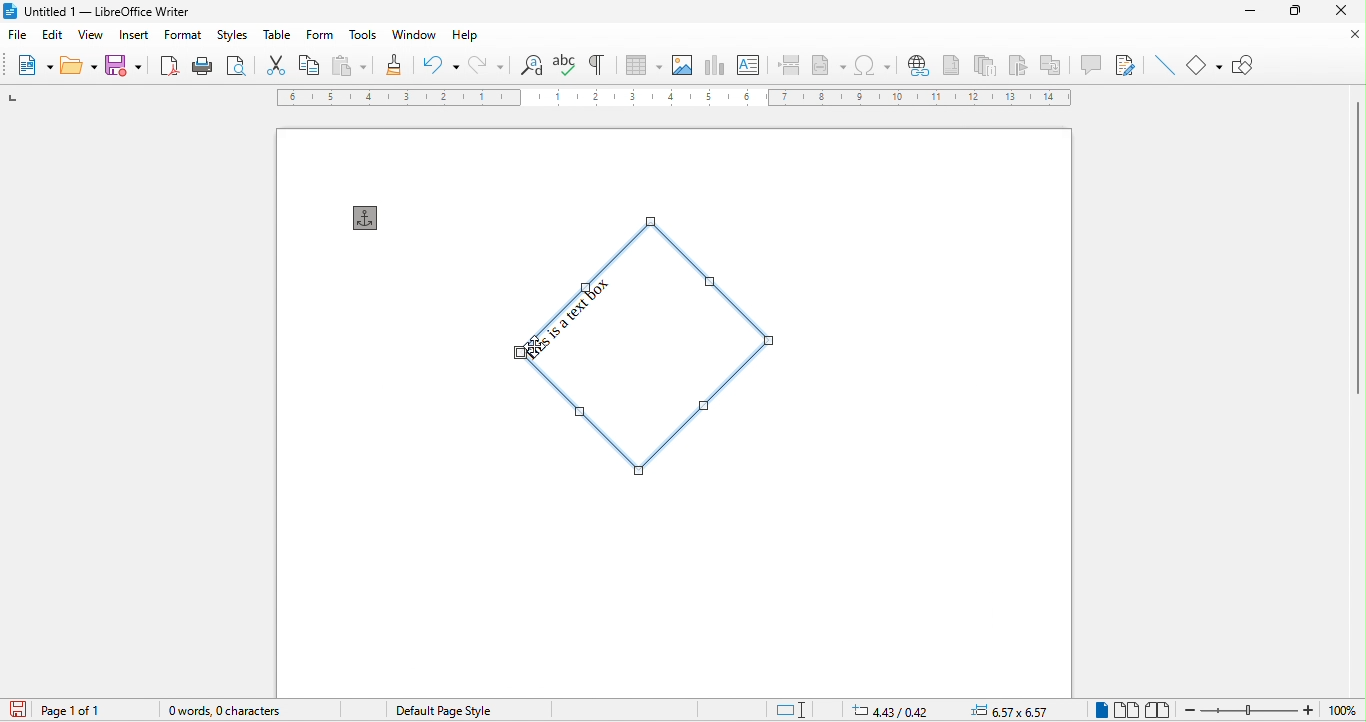 The image size is (1366, 722). I want to click on view, so click(94, 37).